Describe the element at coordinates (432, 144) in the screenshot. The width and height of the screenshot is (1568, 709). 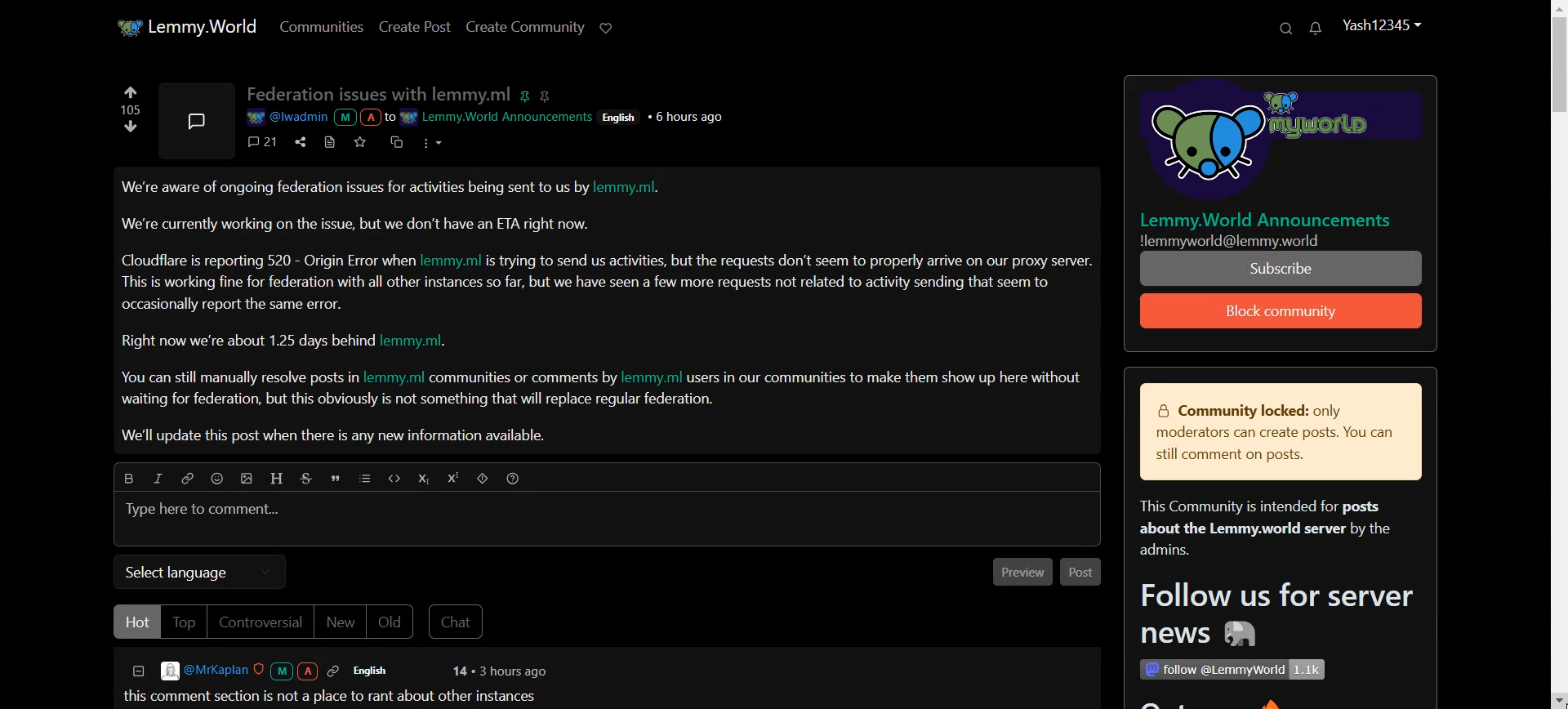
I see `More` at that location.